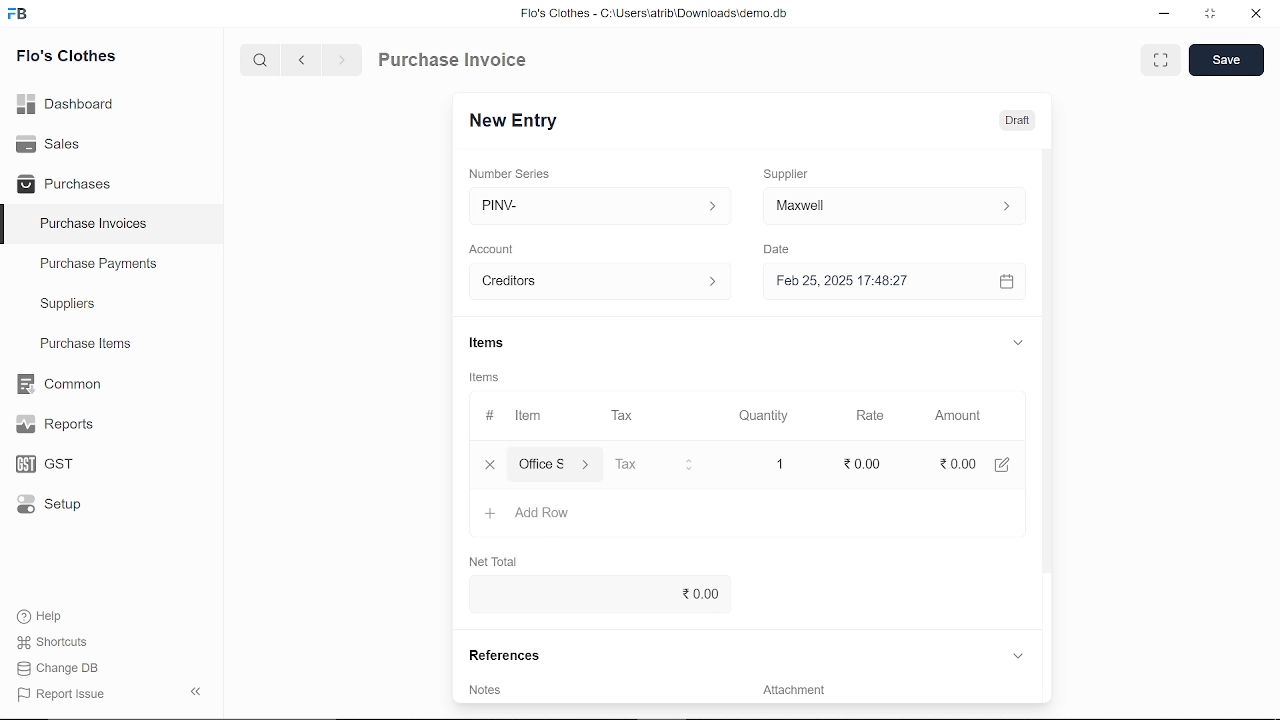 This screenshot has width=1280, height=720. I want to click on hide, so click(192, 693).